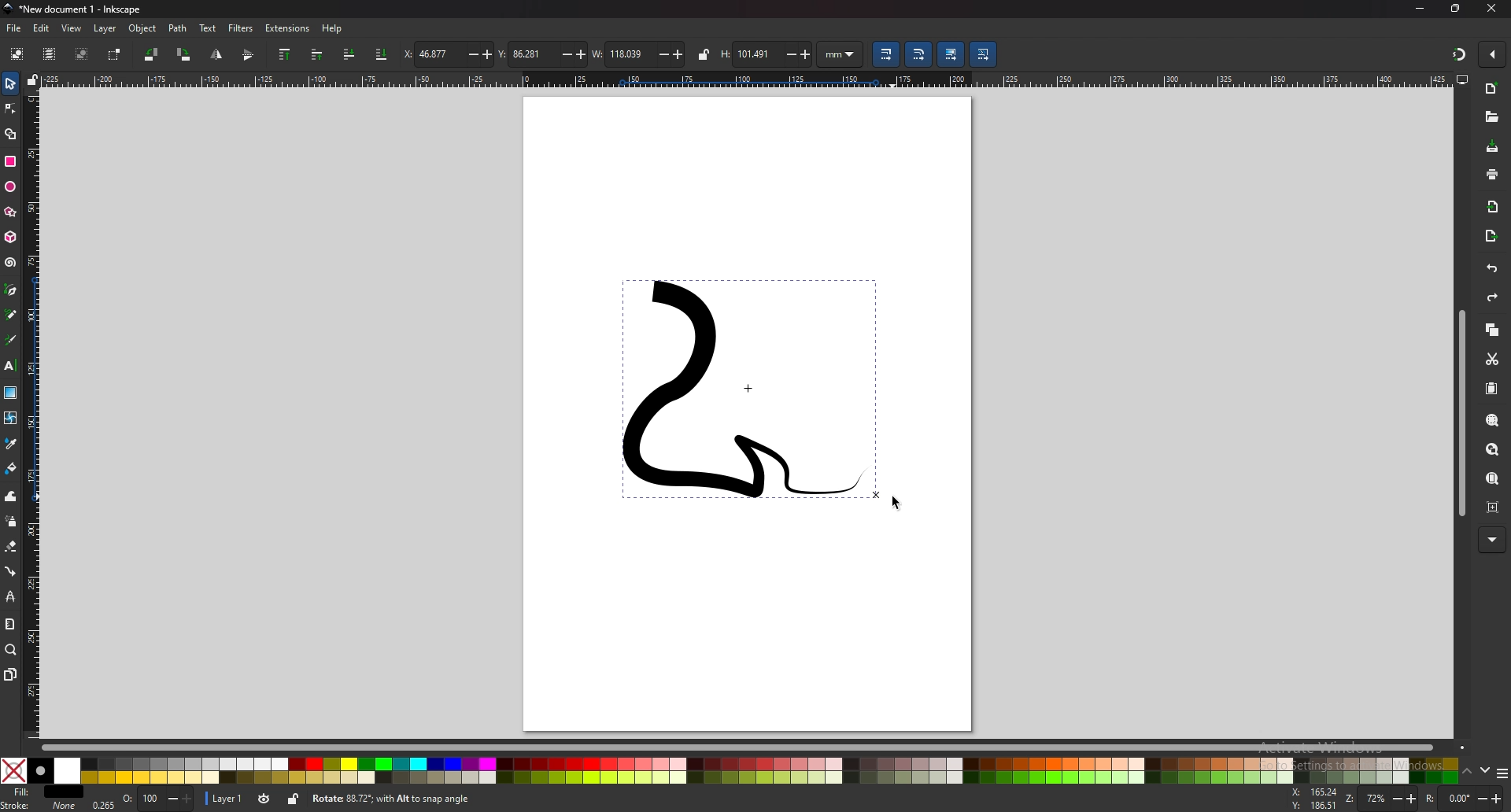 Image resolution: width=1511 pixels, height=812 pixels. Describe the element at coordinates (10, 650) in the screenshot. I see `zoom` at that location.